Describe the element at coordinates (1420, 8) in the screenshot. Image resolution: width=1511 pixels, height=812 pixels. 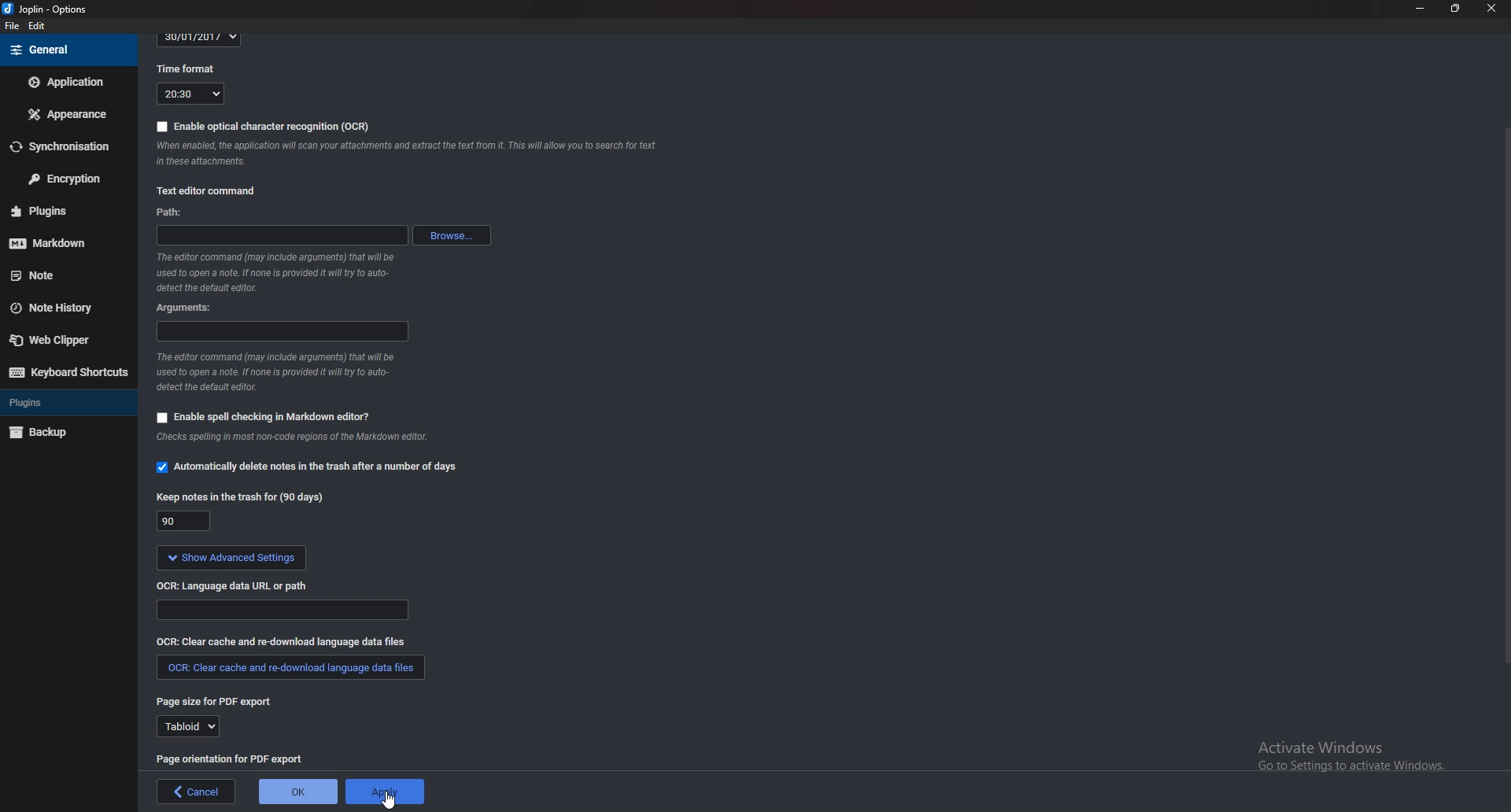
I see `Minimize` at that location.